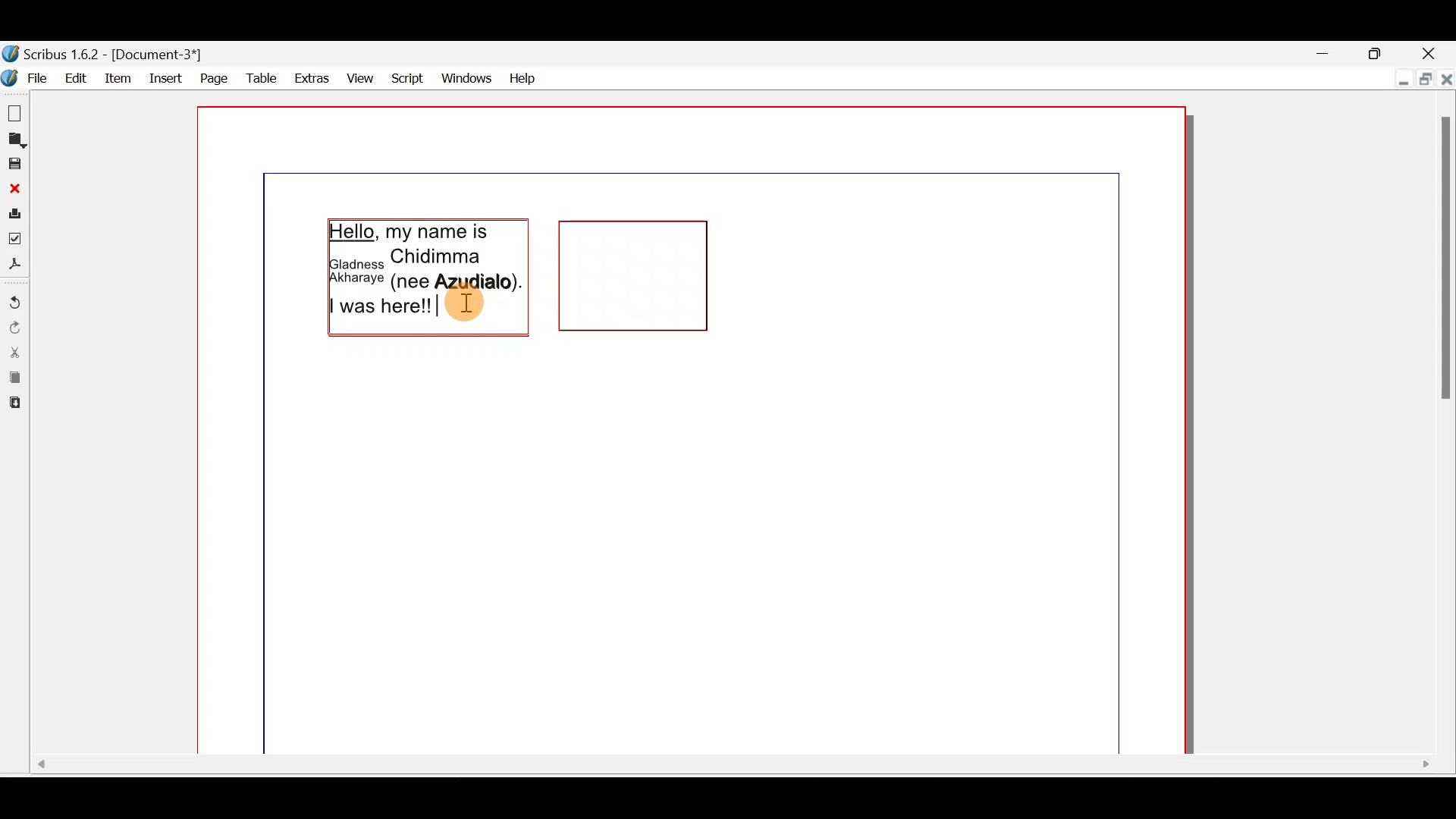 This screenshot has width=1456, height=819. What do you see at coordinates (77, 78) in the screenshot?
I see `Edit` at bounding box center [77, 78].